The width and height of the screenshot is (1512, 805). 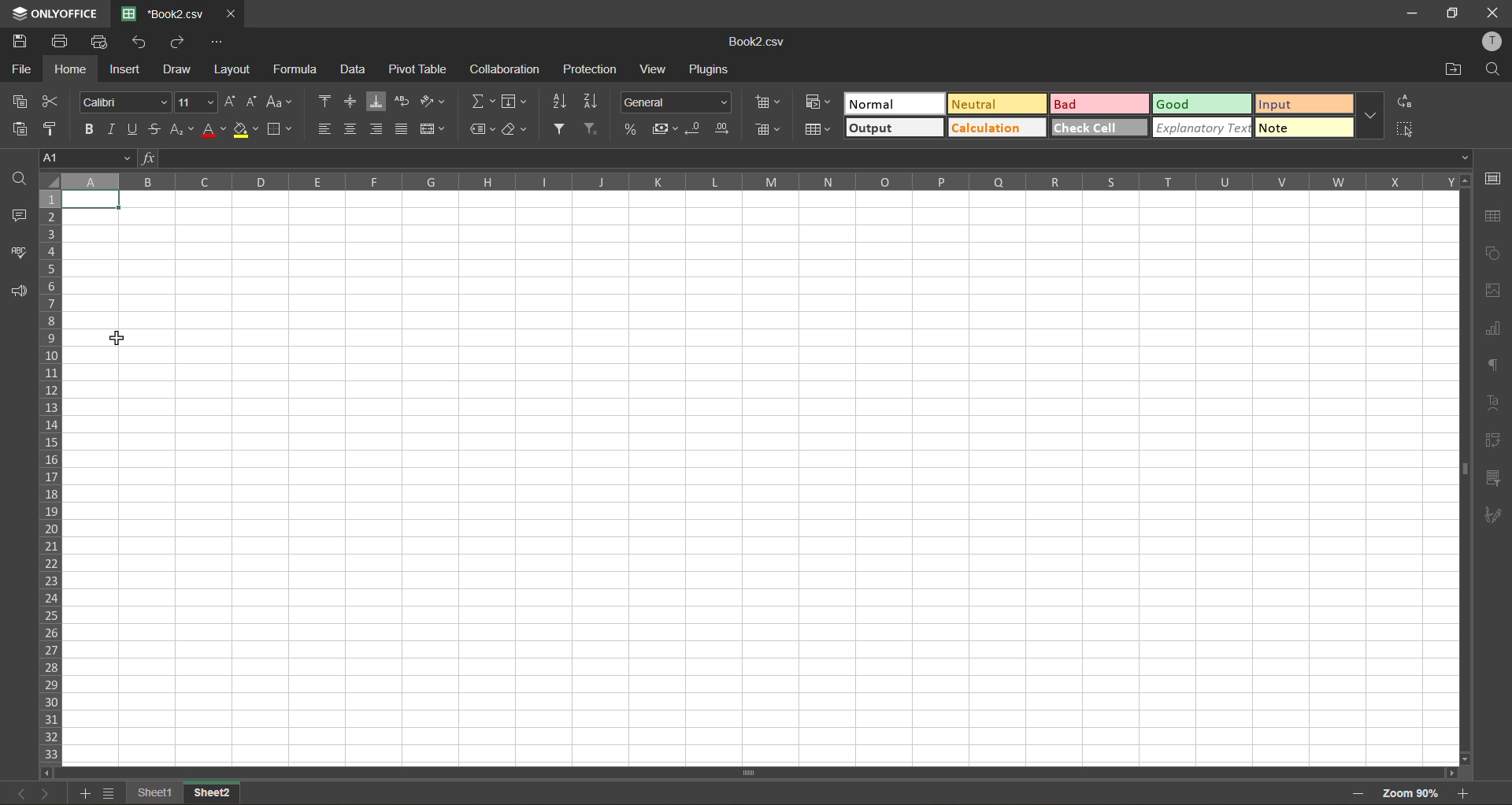 I want to click on filename, so click(x=161, y=13).